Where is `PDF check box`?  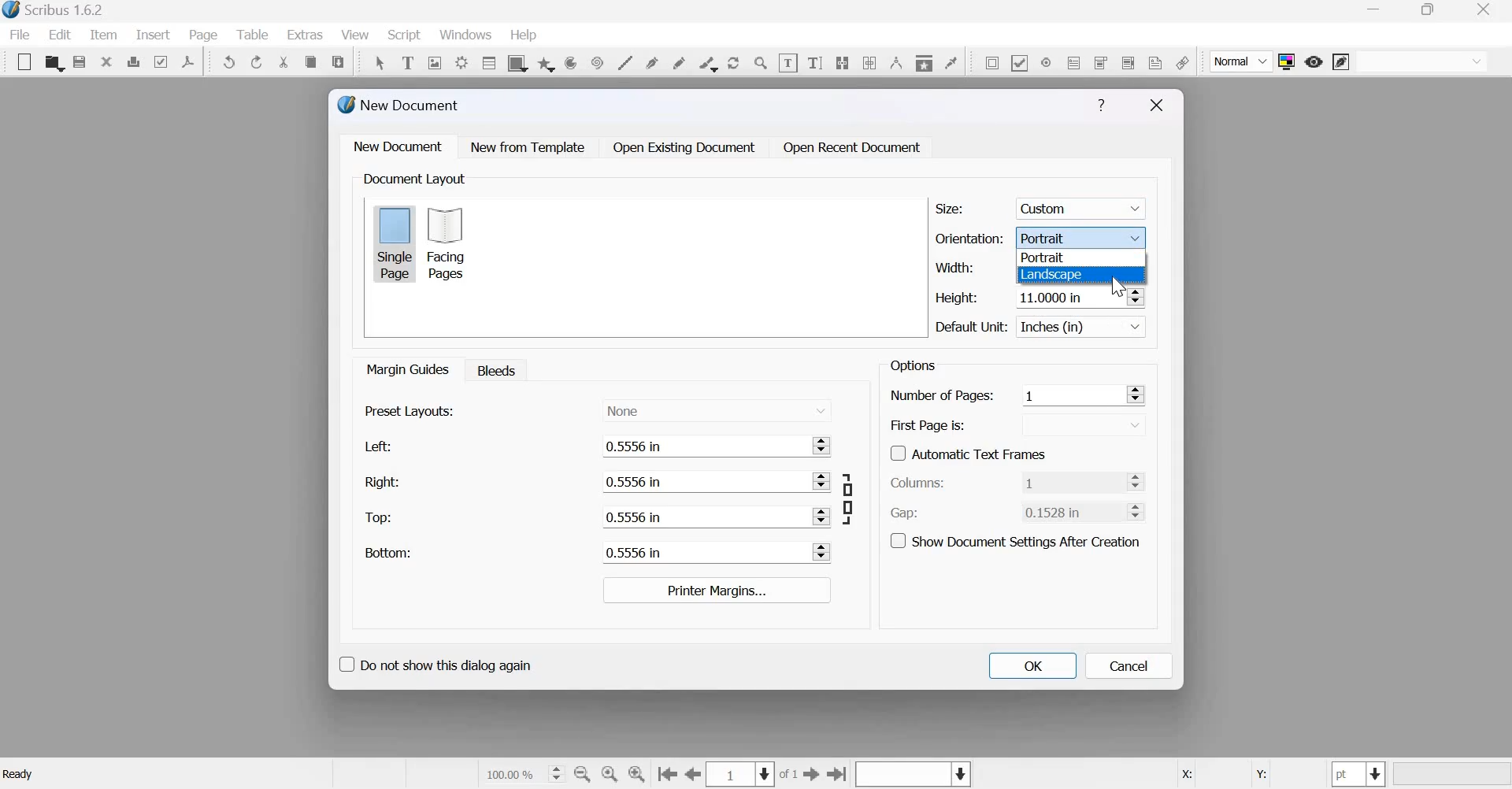
PDF check box is located at coordinates (1019, 61).